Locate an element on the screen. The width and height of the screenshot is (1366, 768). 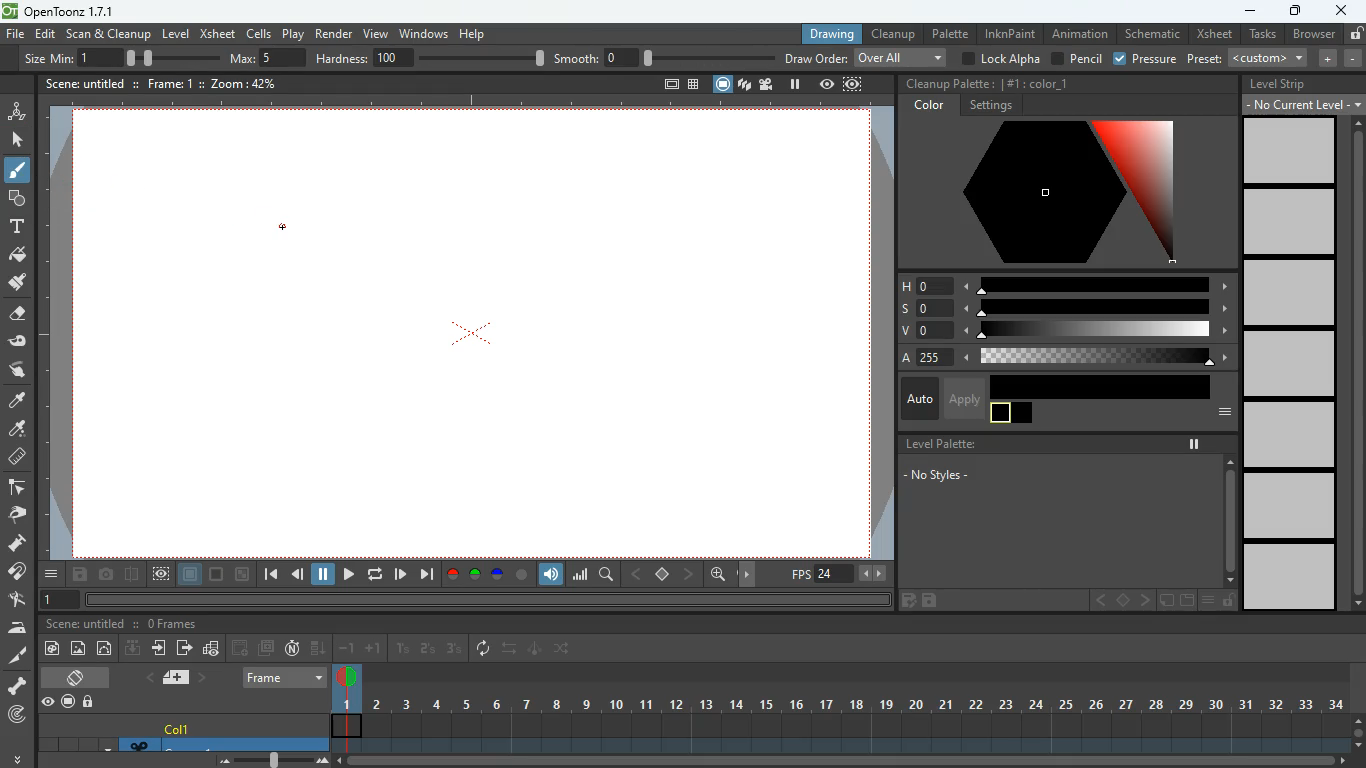
vertical scale is located at coordinates (55, 339).